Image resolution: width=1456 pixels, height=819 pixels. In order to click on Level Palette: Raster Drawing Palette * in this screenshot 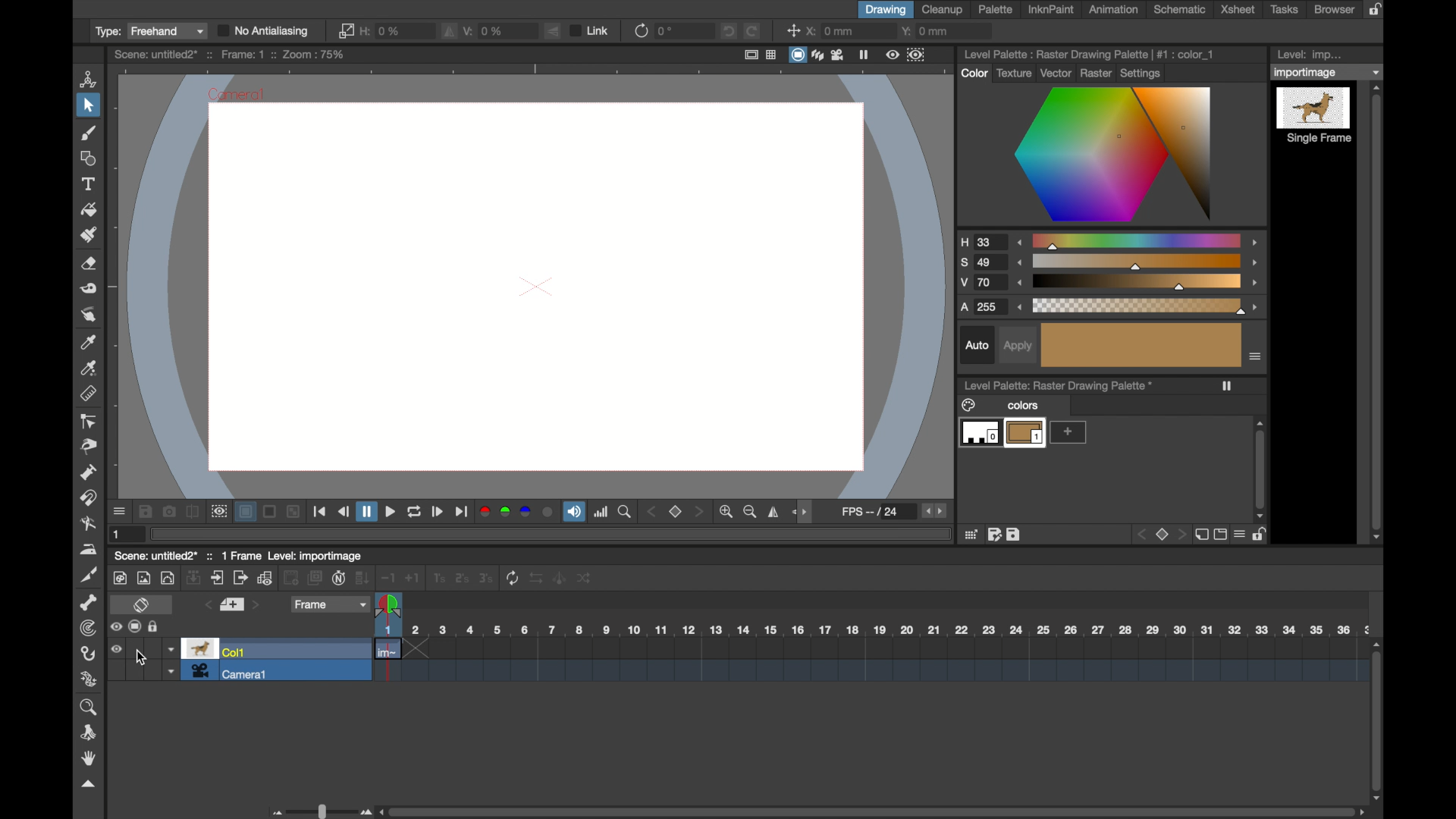, I will do `click(1058, 385)`.